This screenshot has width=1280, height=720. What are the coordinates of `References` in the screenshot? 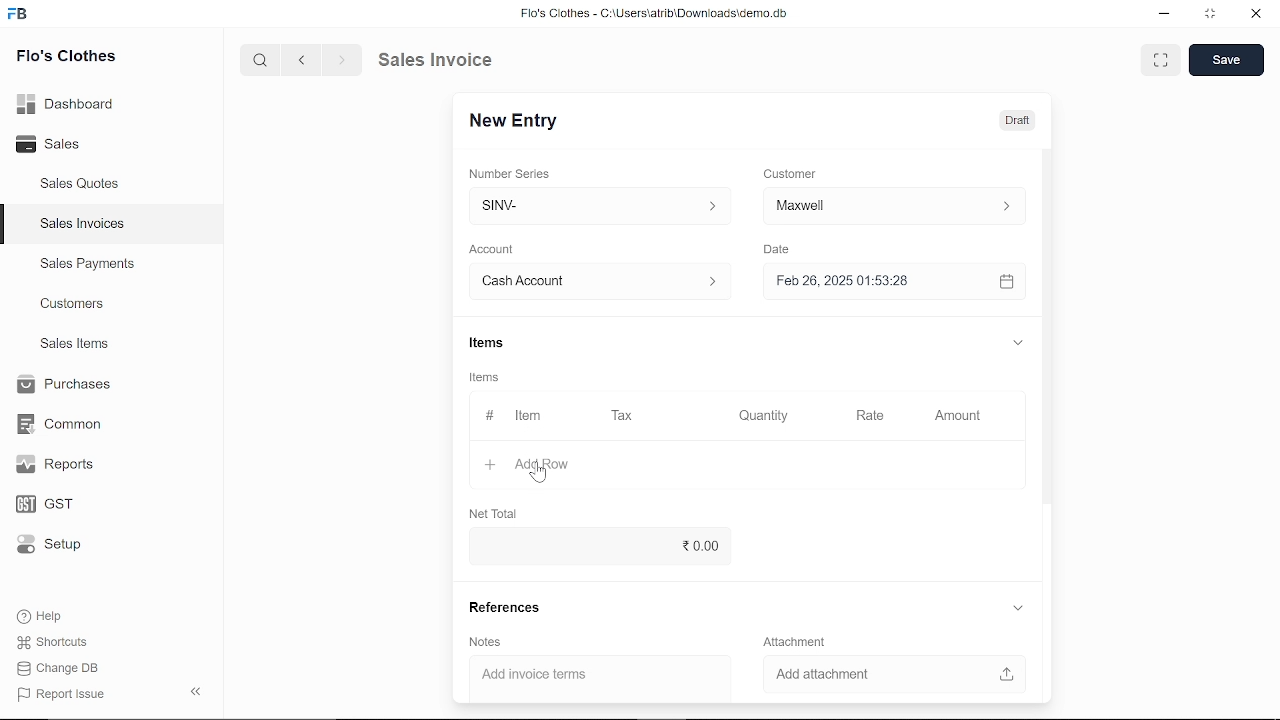 It's located at (501, 607).